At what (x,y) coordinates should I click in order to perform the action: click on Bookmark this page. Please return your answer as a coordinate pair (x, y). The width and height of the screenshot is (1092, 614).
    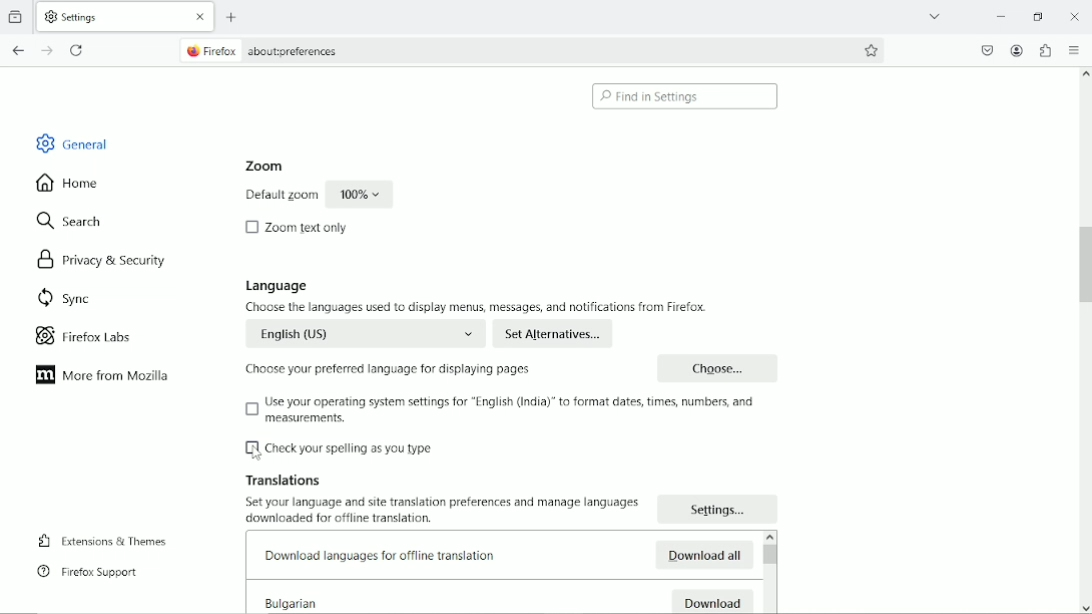
    Looking at the image, I should click on (872, 51).